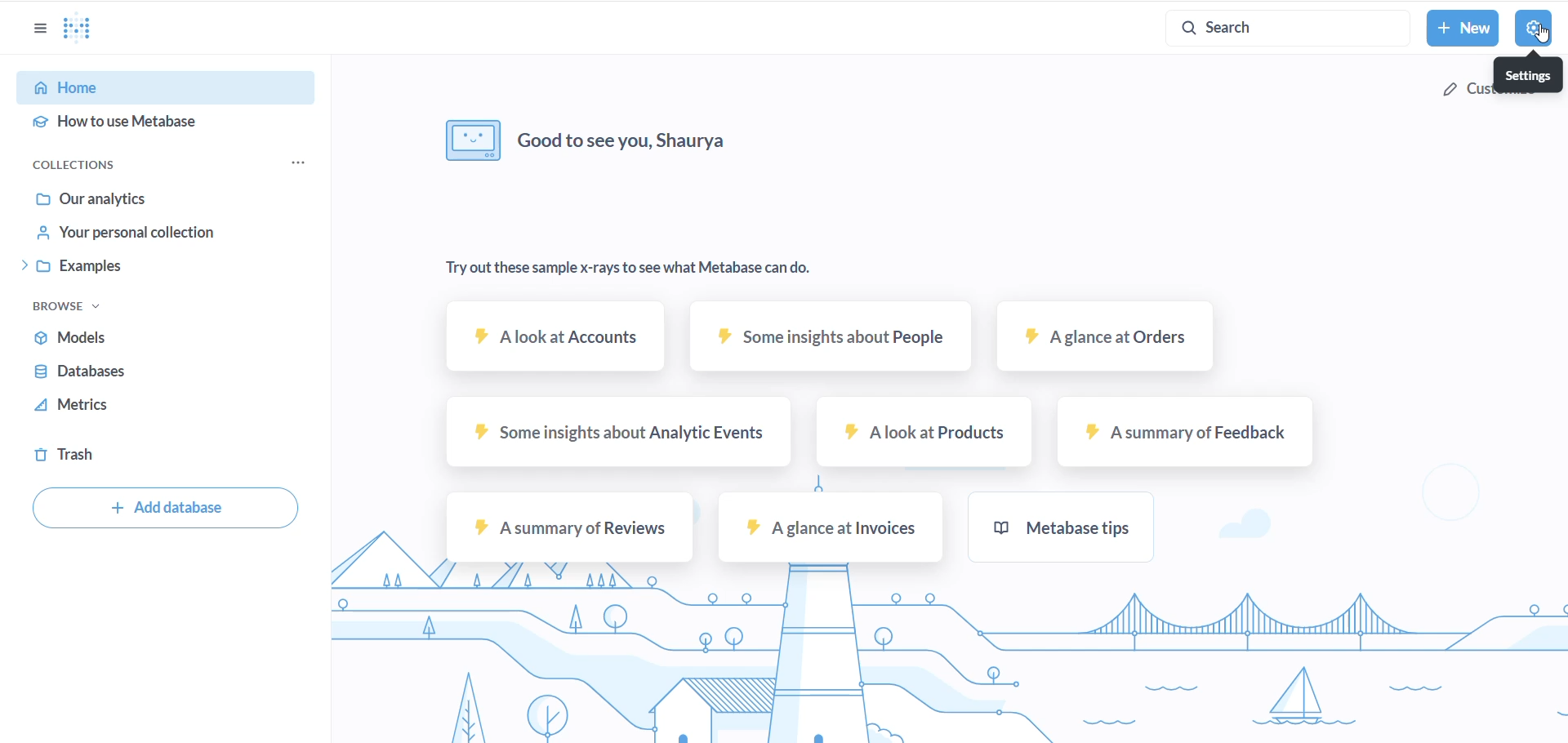  Describe the element at coordinates (167, 507) in the screenshot. I see `ADD DATABASE` at that location.